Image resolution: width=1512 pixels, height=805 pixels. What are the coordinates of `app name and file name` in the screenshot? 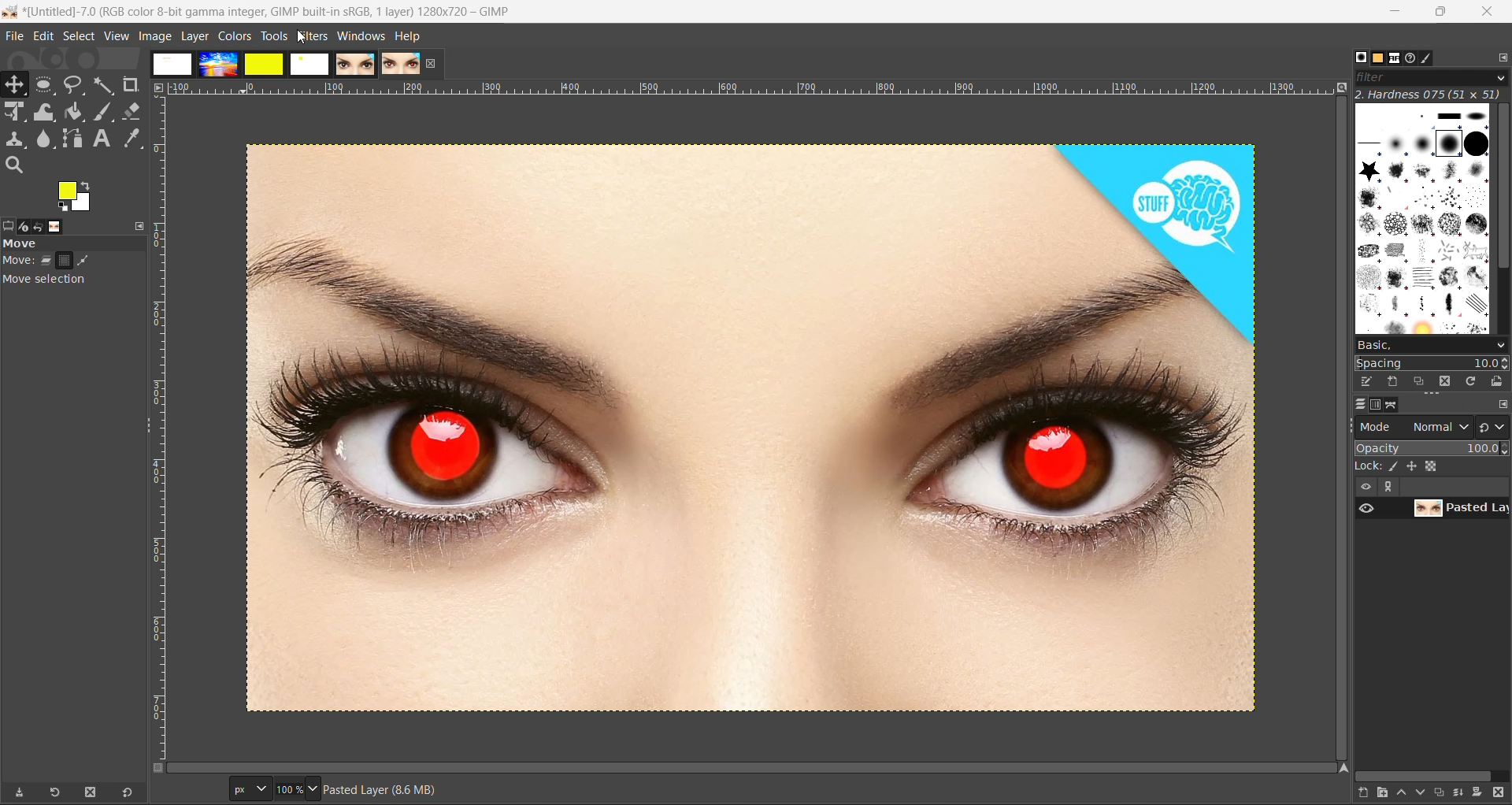 It's located at (264, 9).